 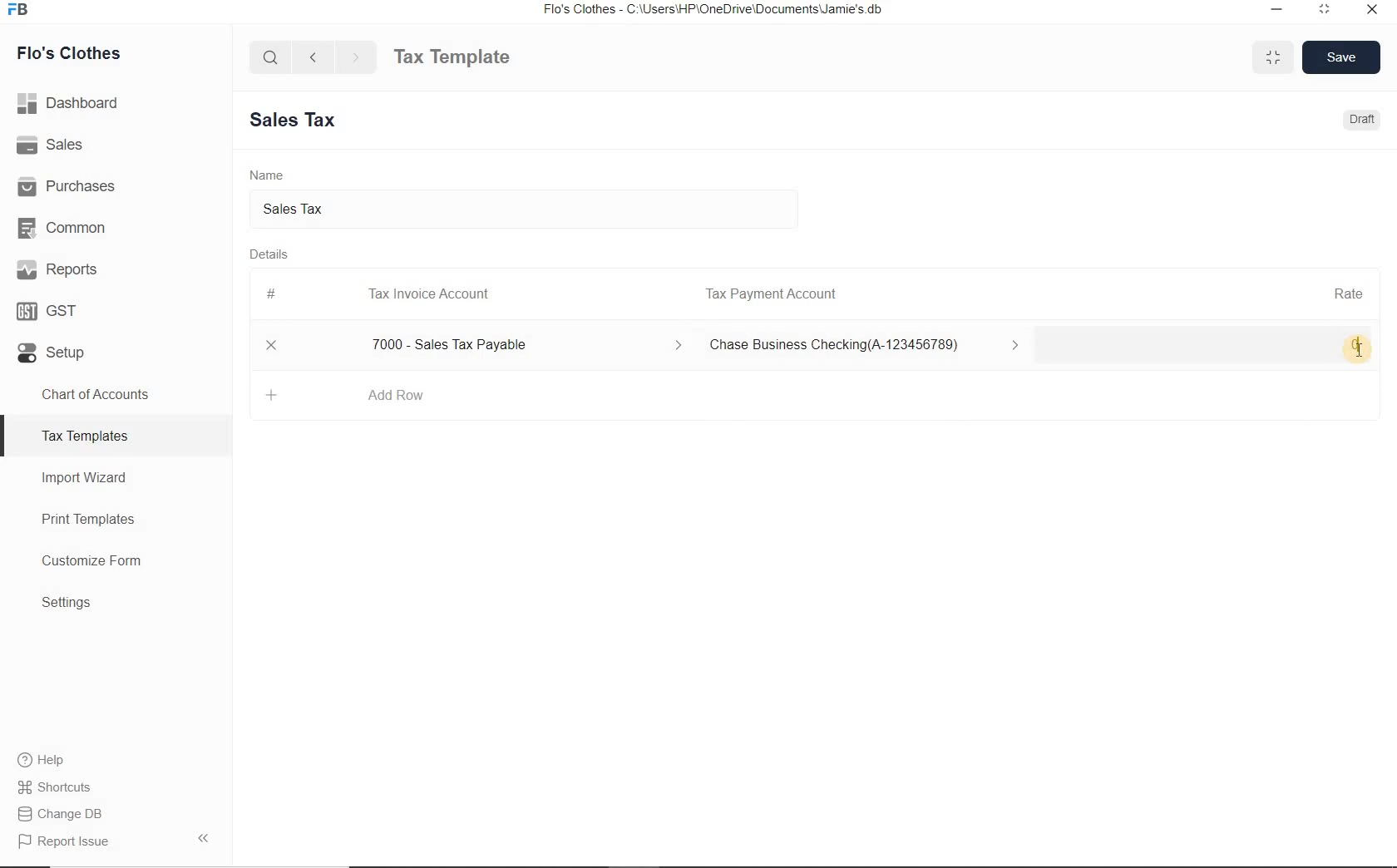 I want to click on Close, so click(x=272, y=345).